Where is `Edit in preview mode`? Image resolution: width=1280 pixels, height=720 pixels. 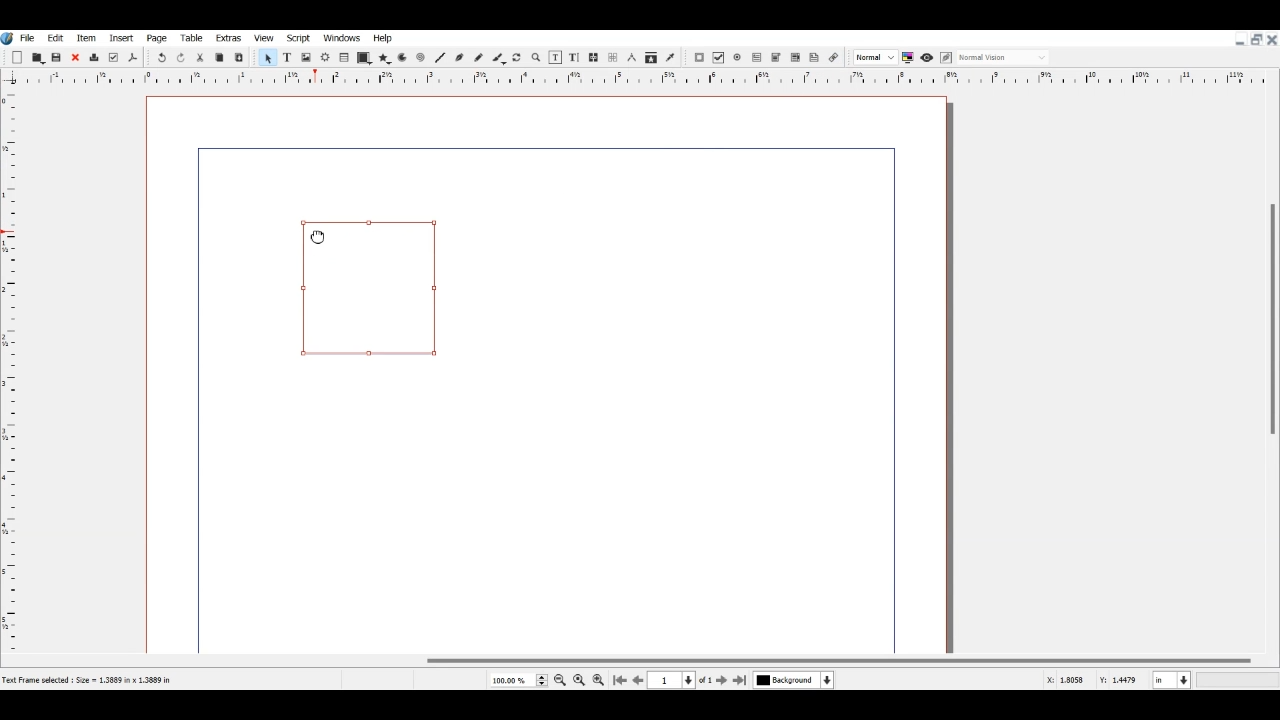
Edit in preview mode is located at coordinates (946, 58).